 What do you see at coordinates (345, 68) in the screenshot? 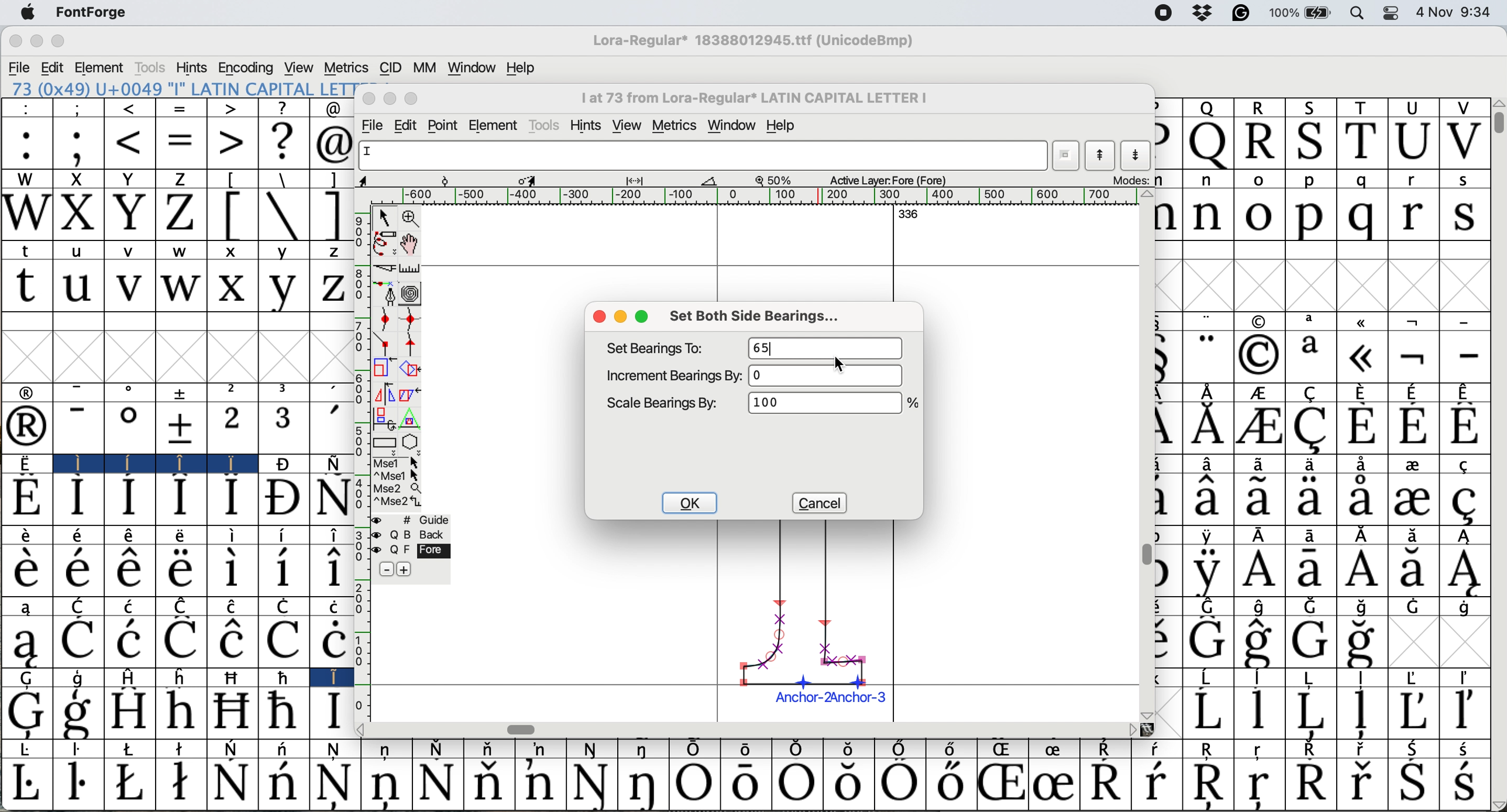
I see `metrics` at bounding box center [345, 68].